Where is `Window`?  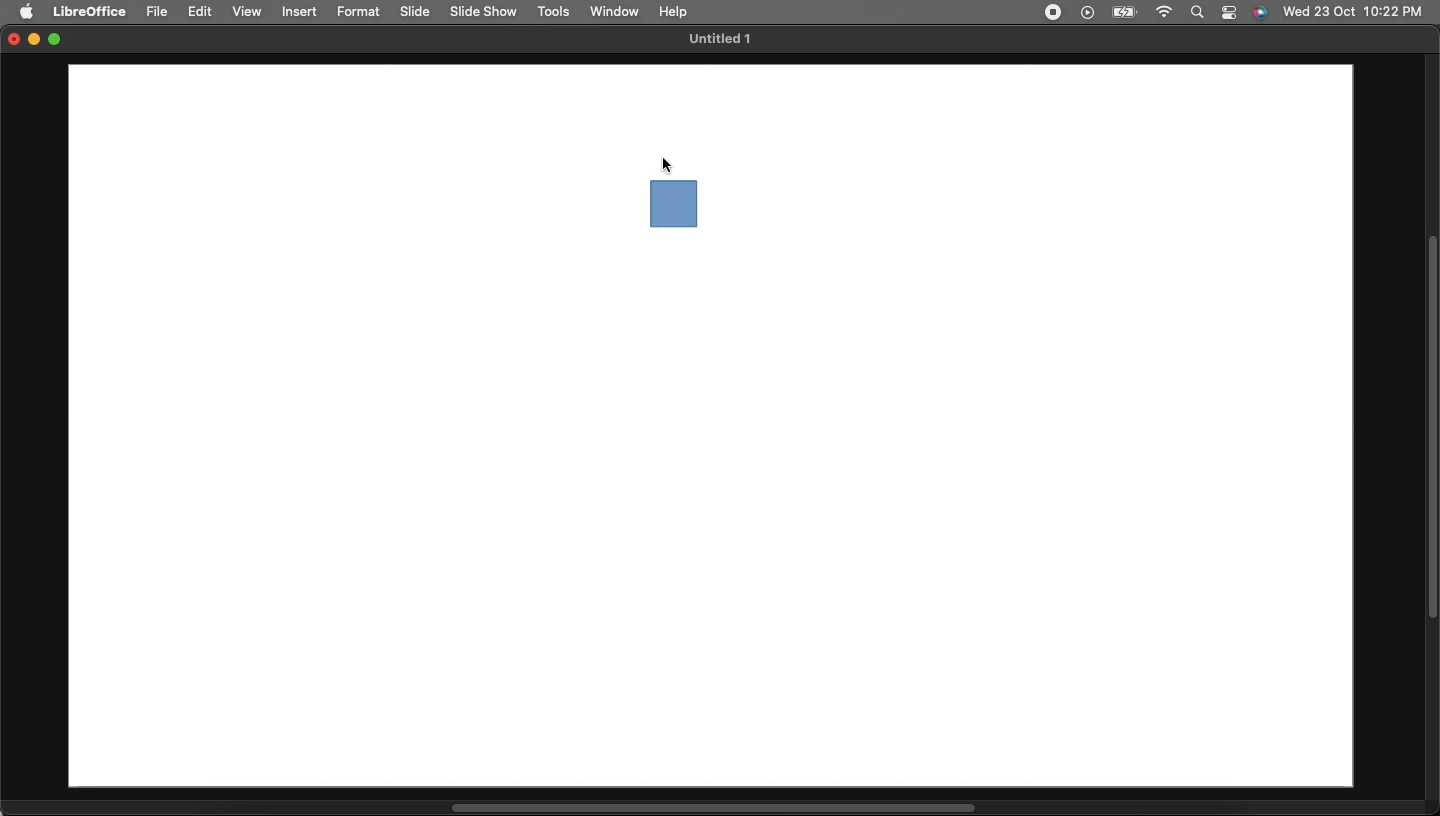 Window is located at coordinates (616, 11).